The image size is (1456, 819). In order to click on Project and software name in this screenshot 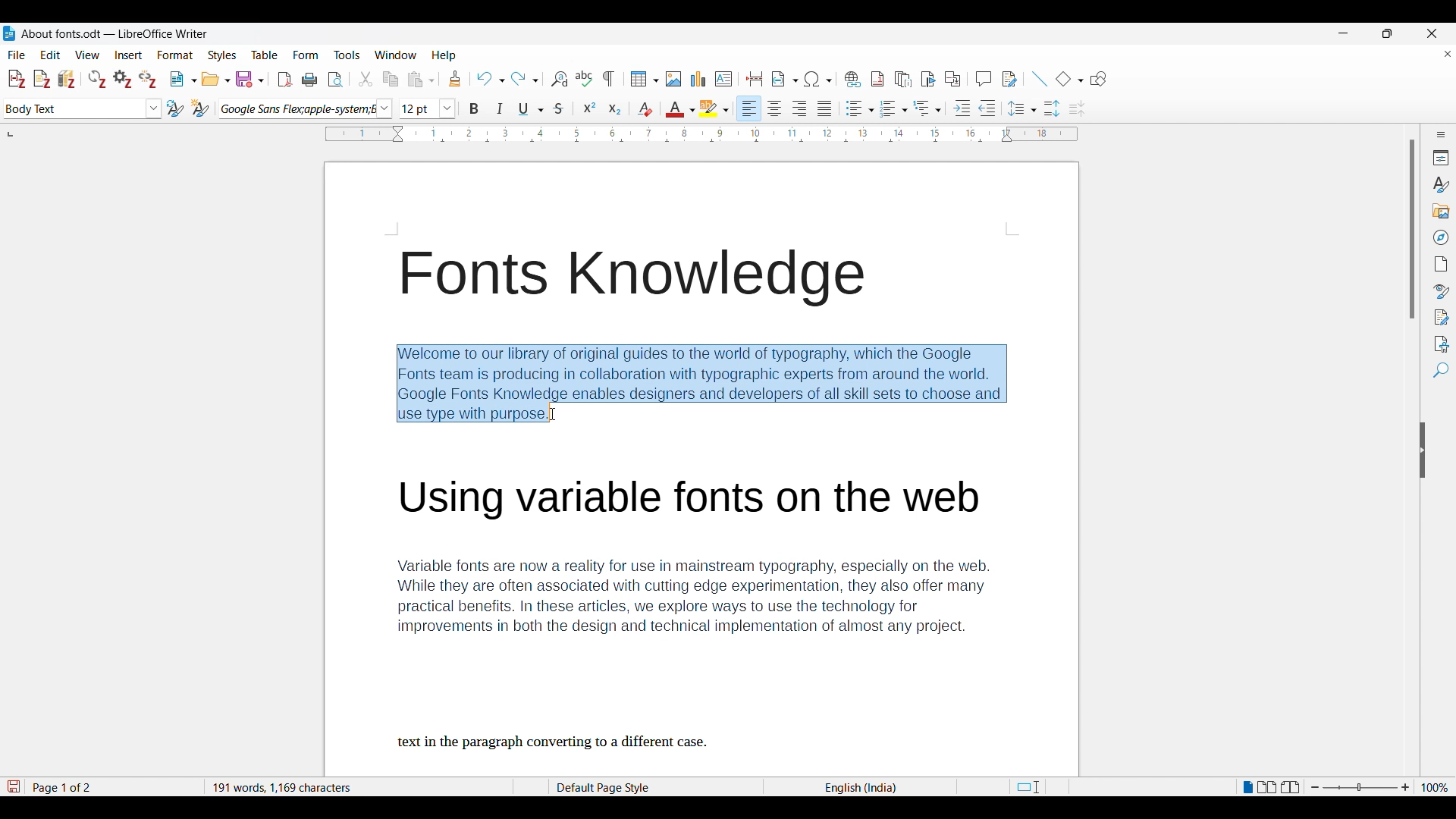, I will do `click(115, 34)`.